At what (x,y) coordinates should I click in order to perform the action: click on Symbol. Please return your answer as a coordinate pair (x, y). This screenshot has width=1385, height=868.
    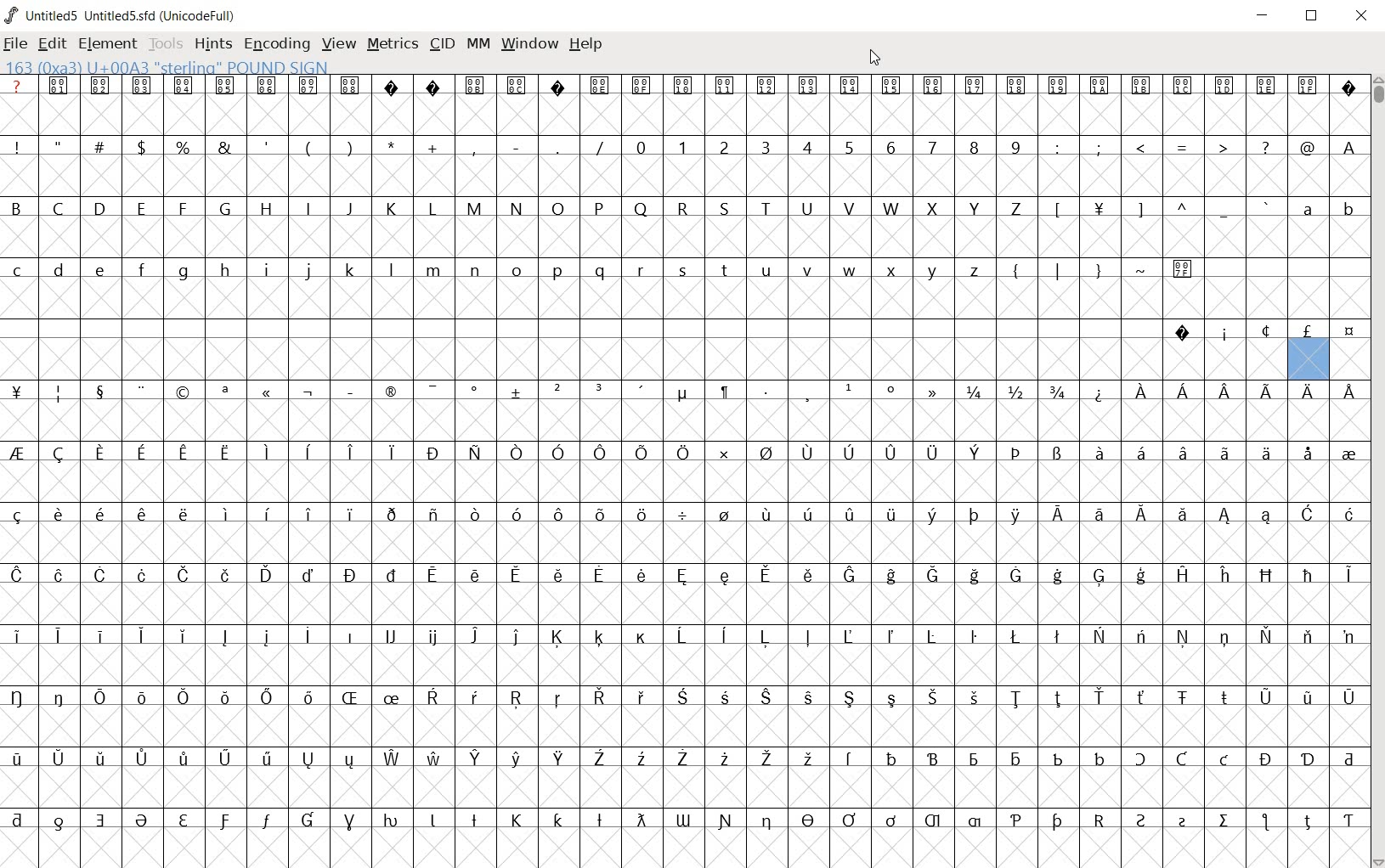
    Looking at the image, I should click on (1057, 516).